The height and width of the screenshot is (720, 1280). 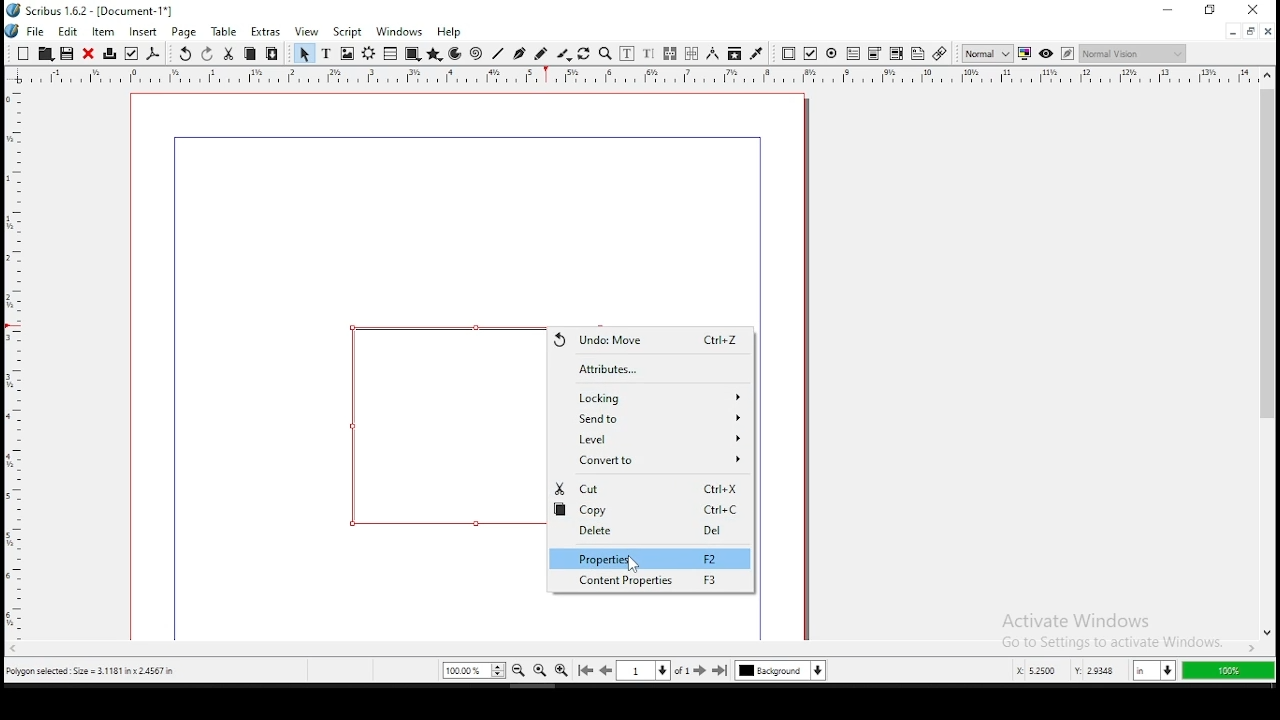 What do you see at coordinates (368, 54) in the screenshot?
I see `render frame` at bounding box center [368, 54].